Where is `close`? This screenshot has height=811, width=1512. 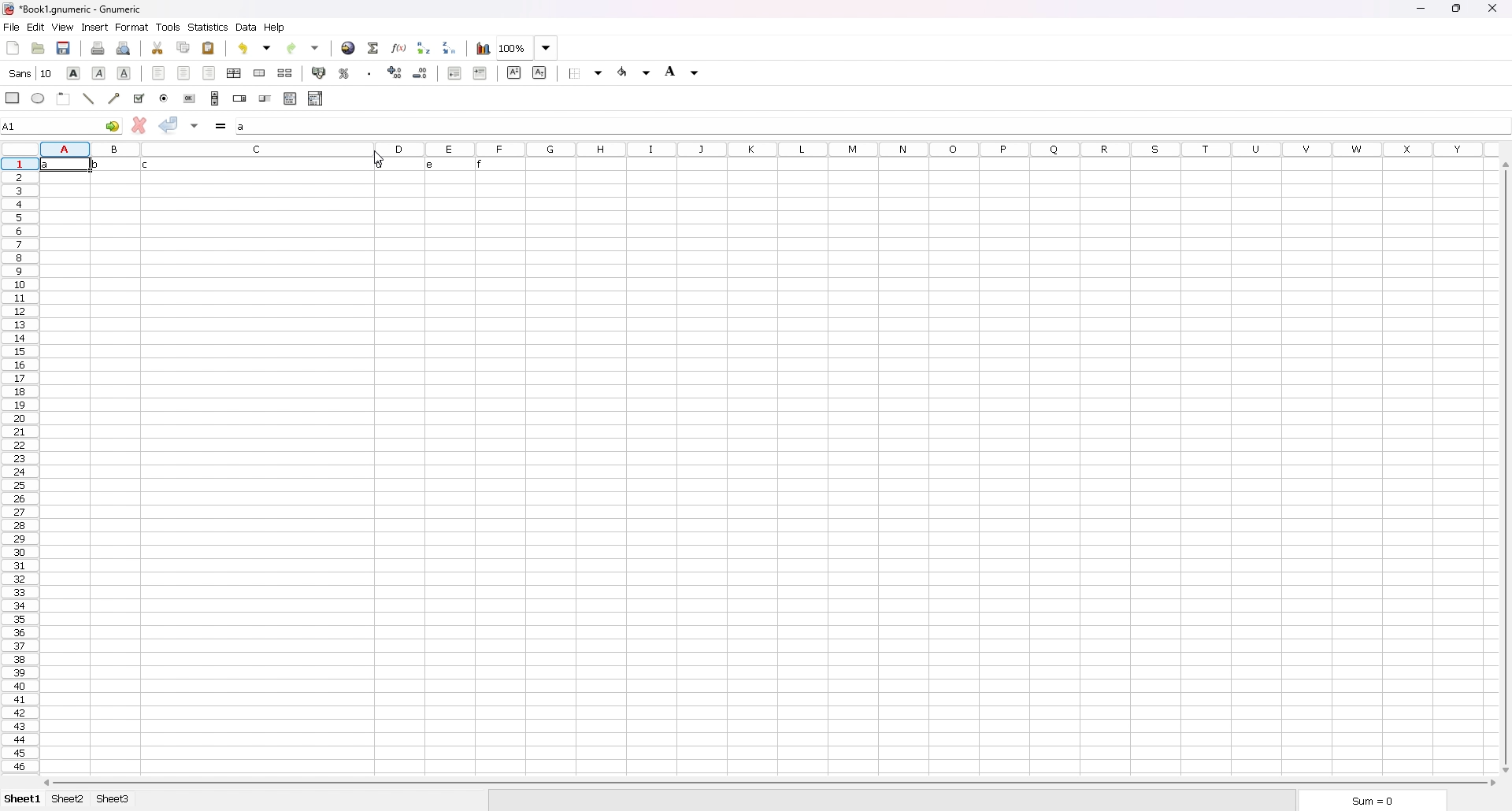 close is located at coordinates (1492, 8).